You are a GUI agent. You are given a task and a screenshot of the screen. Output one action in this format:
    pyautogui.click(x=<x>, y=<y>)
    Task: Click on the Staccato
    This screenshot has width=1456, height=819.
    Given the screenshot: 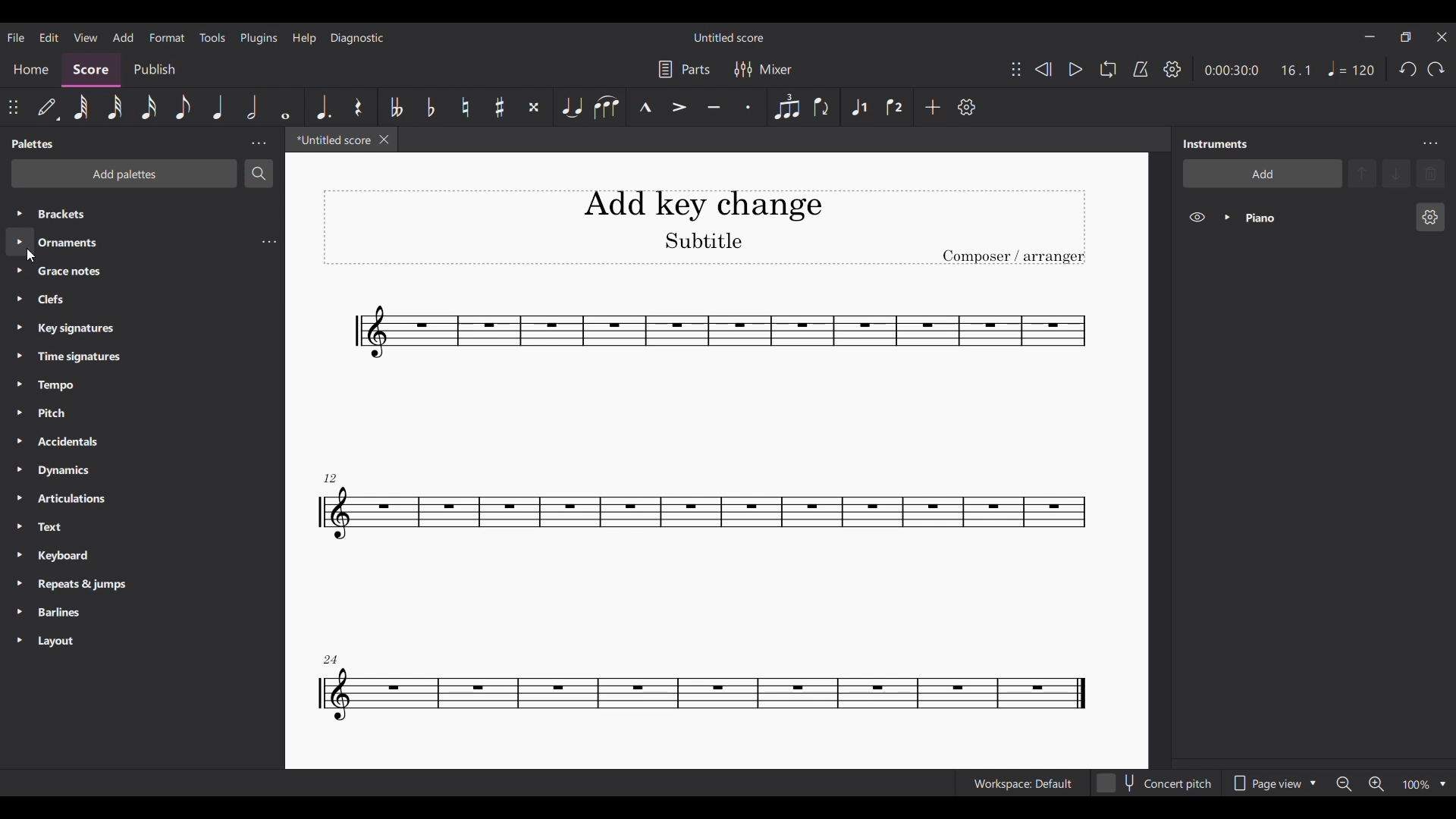 What is the action you would take?
    pyautogui.click(x=748, y=107)
    